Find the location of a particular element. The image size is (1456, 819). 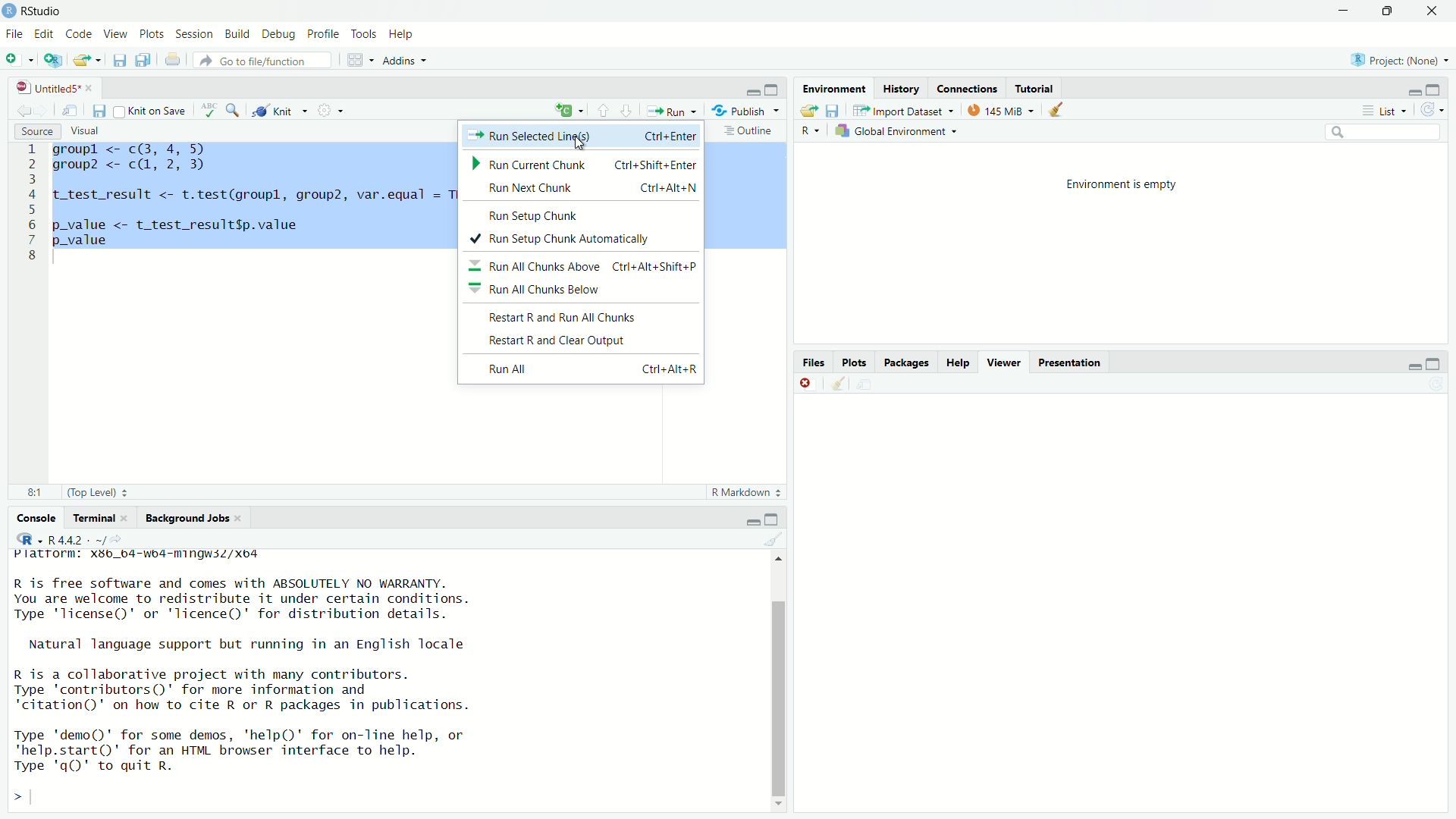

NEW PROJECT is located at coordinates (54, 58).